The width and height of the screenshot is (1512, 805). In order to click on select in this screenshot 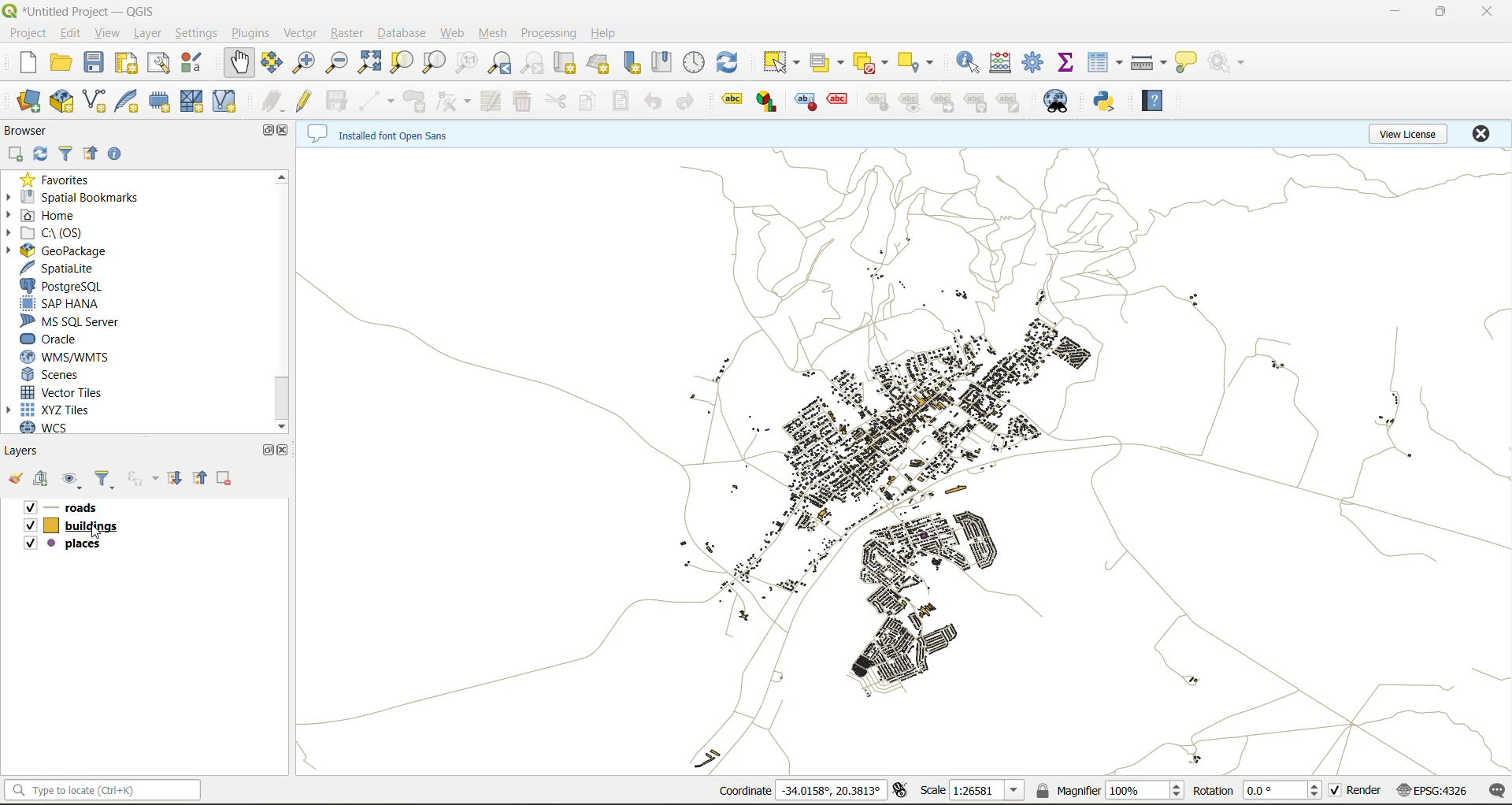, I will do `click(783, 63)`.